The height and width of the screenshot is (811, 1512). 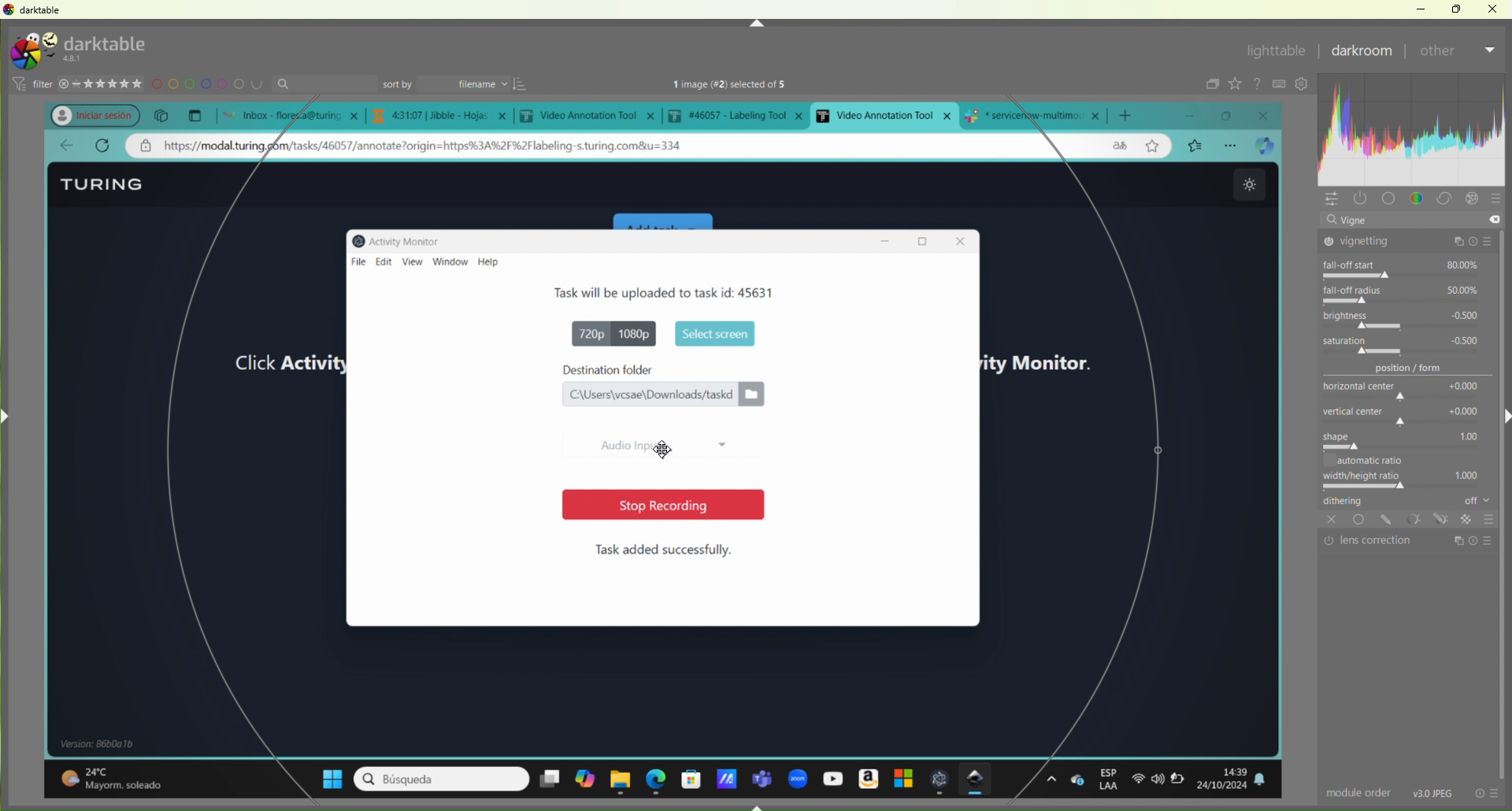 What do you see at coordinates (1199, 115) in the screenshot?
I see `minimize` at bounding box center [1199, 115].